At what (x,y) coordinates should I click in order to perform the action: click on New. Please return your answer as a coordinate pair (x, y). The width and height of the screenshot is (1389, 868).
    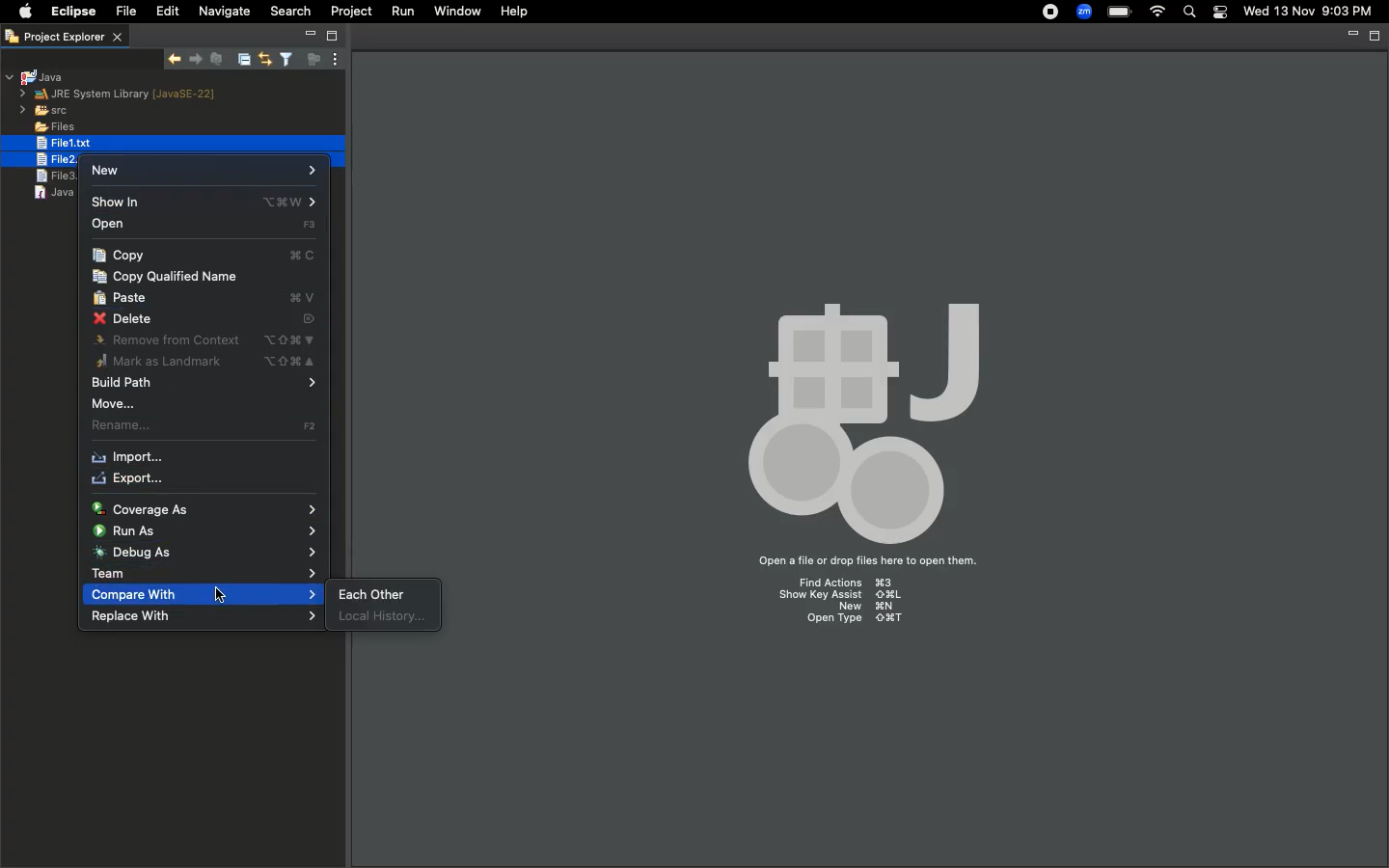
    Looking at the image, I should click on (207, 170).